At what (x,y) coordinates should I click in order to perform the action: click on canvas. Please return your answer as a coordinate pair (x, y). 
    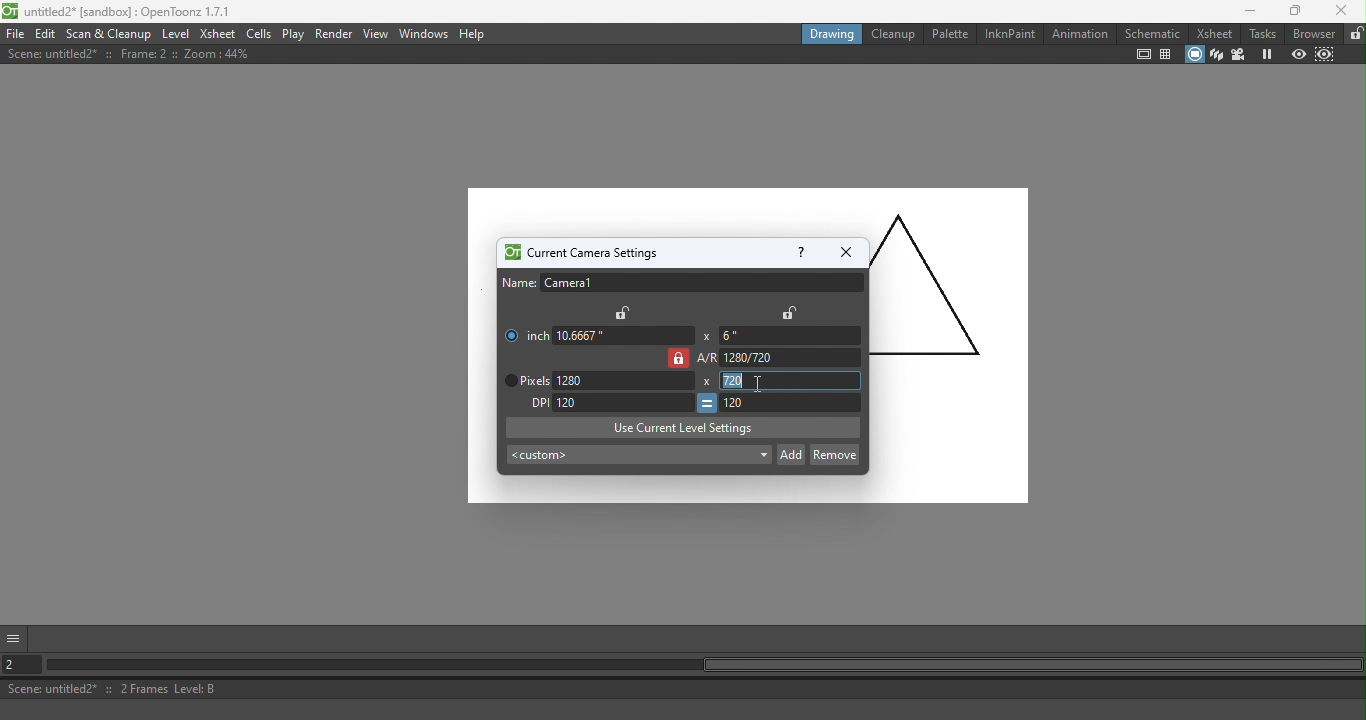
    Looking at the image, I should click on (481, 354).